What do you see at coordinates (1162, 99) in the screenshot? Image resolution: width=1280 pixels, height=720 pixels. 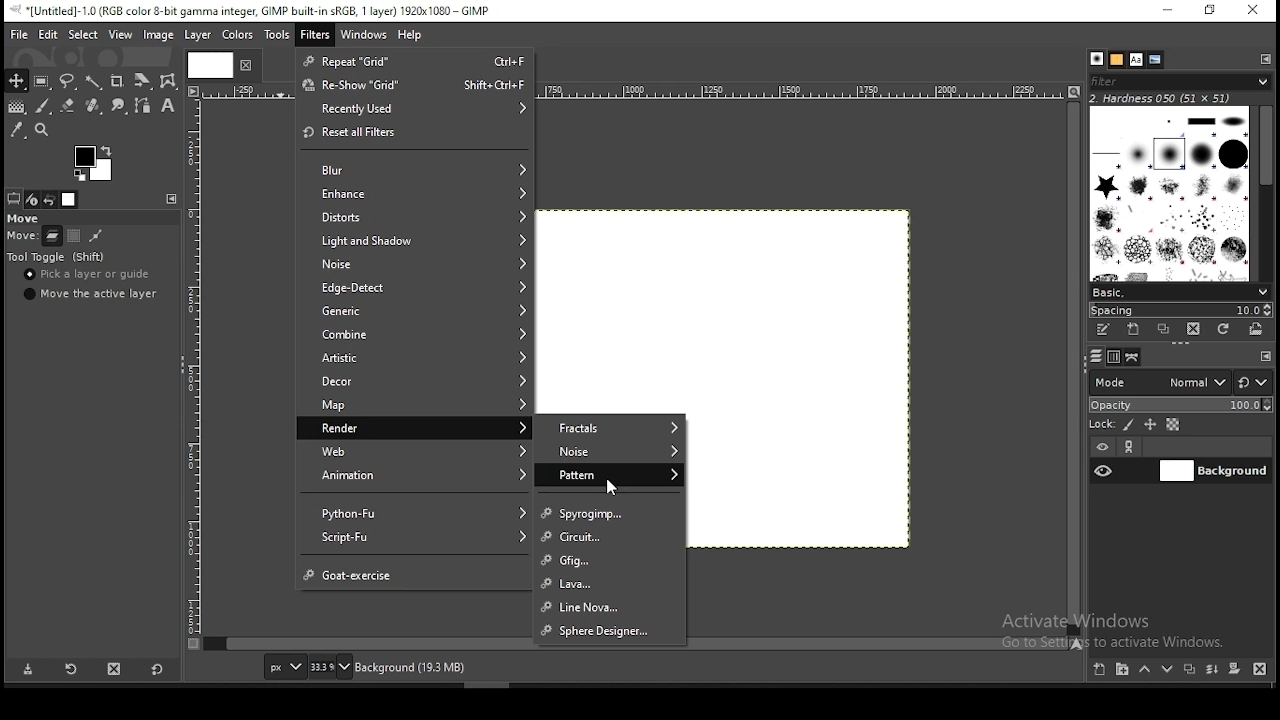 I see `hardness 050` at bounding box center [1162, 99].